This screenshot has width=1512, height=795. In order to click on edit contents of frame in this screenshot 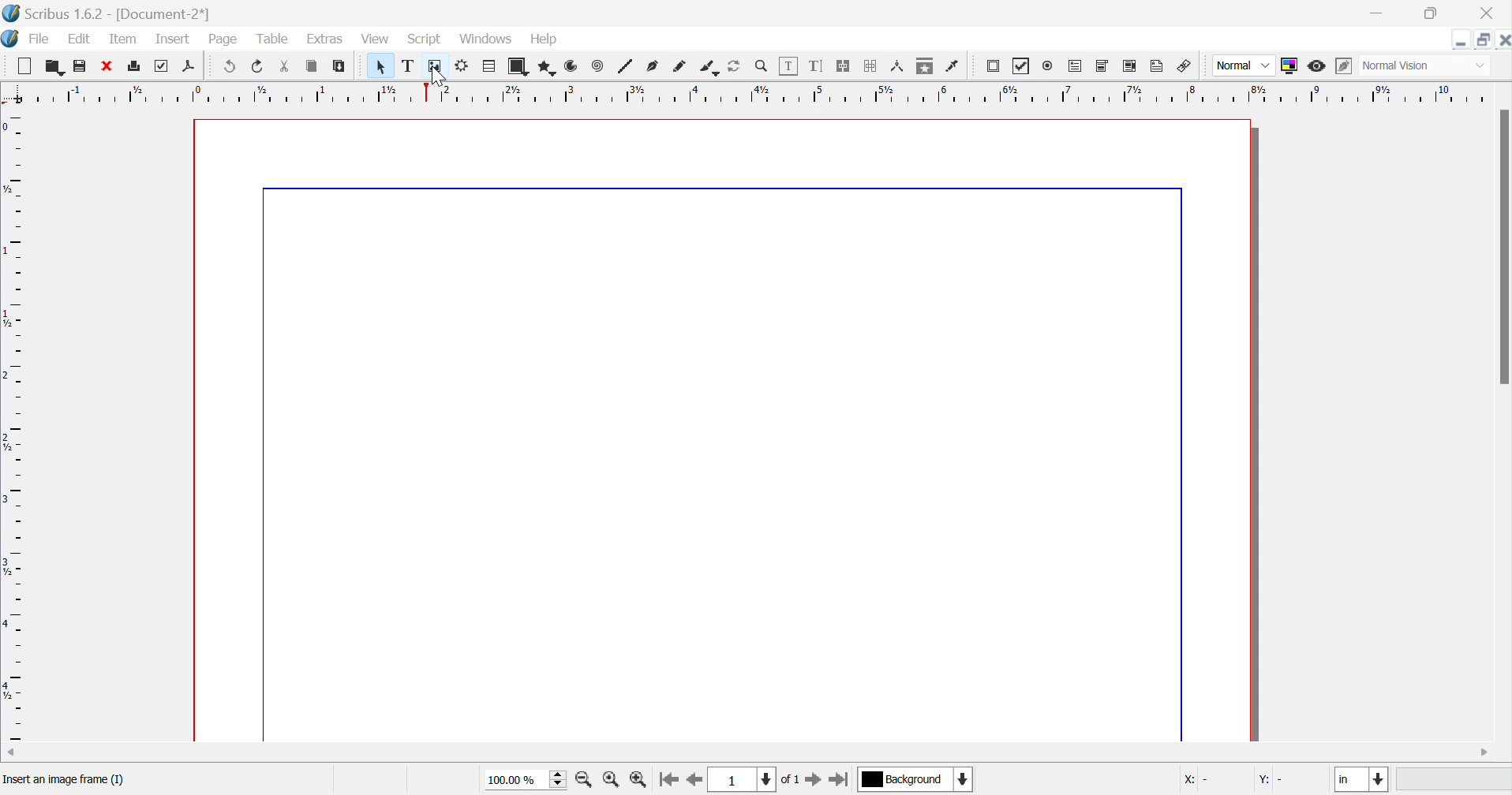, I will do `click(788, 64)`.